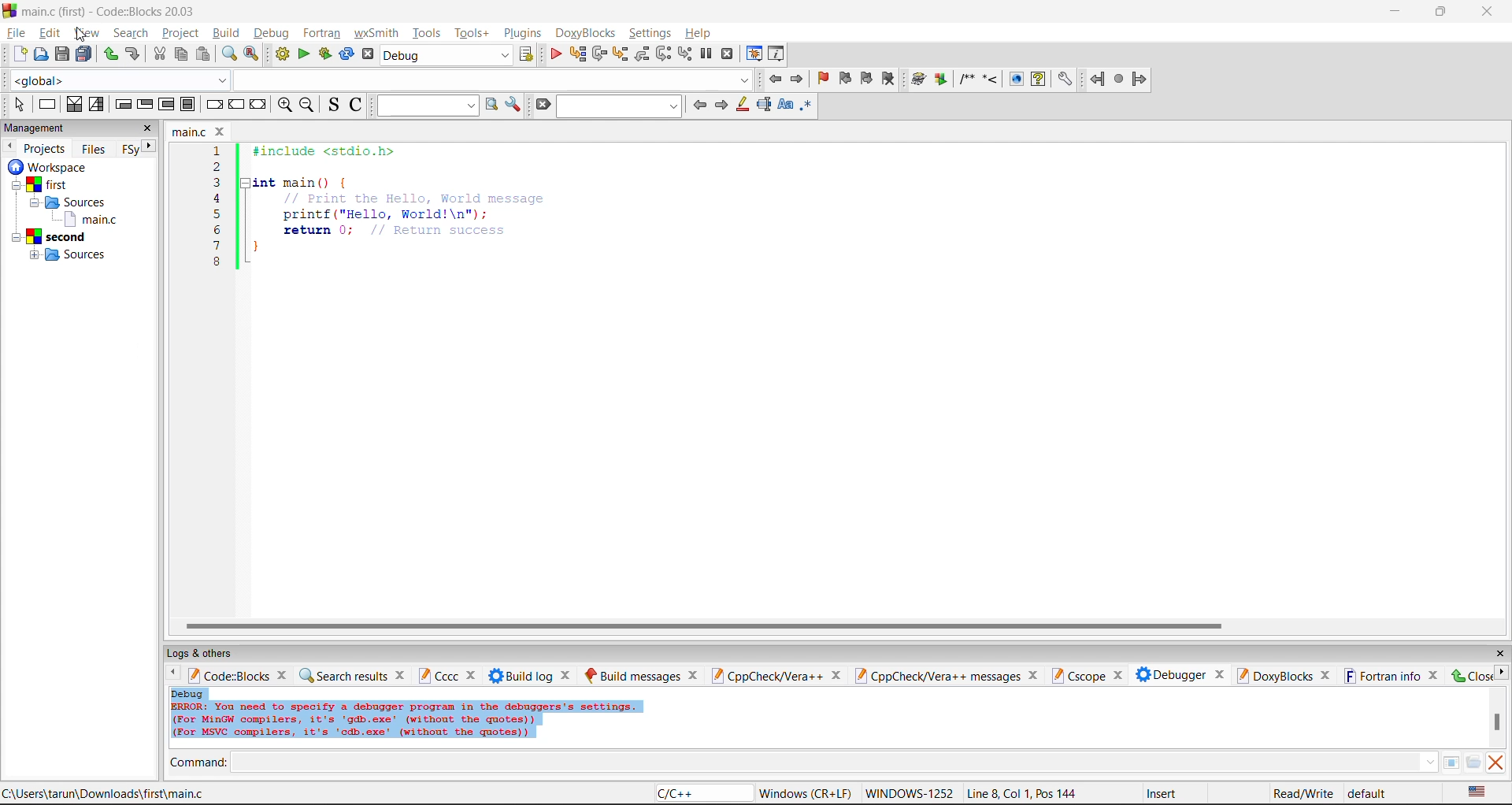  Describe the element at coordinates (702, 793) in the screenshot. I see `language` at that location.